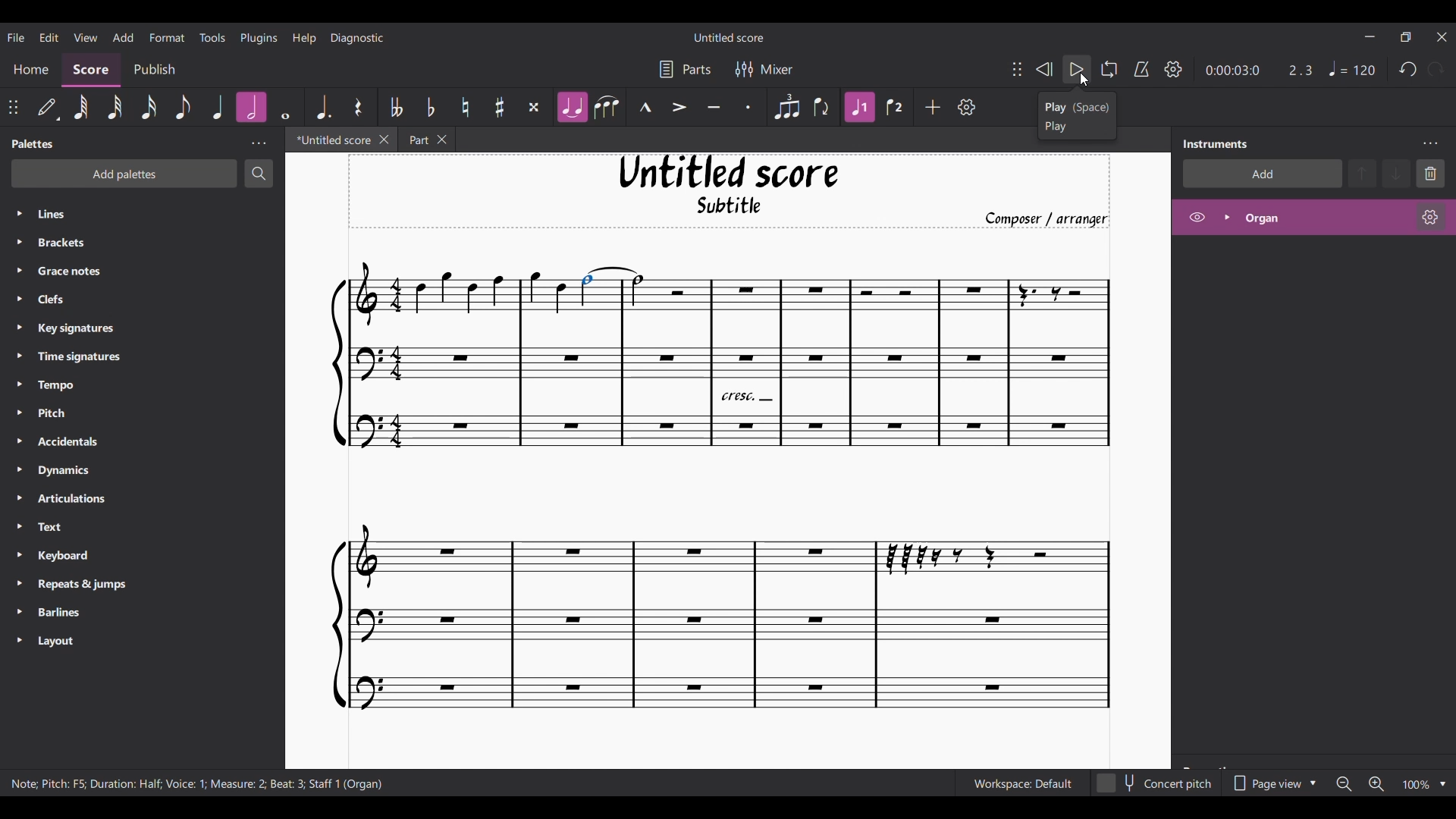  What do you see at coordinates (1431, 217) in the screenshot?
I see `Organ settings` at bounding box center [1431, 217].